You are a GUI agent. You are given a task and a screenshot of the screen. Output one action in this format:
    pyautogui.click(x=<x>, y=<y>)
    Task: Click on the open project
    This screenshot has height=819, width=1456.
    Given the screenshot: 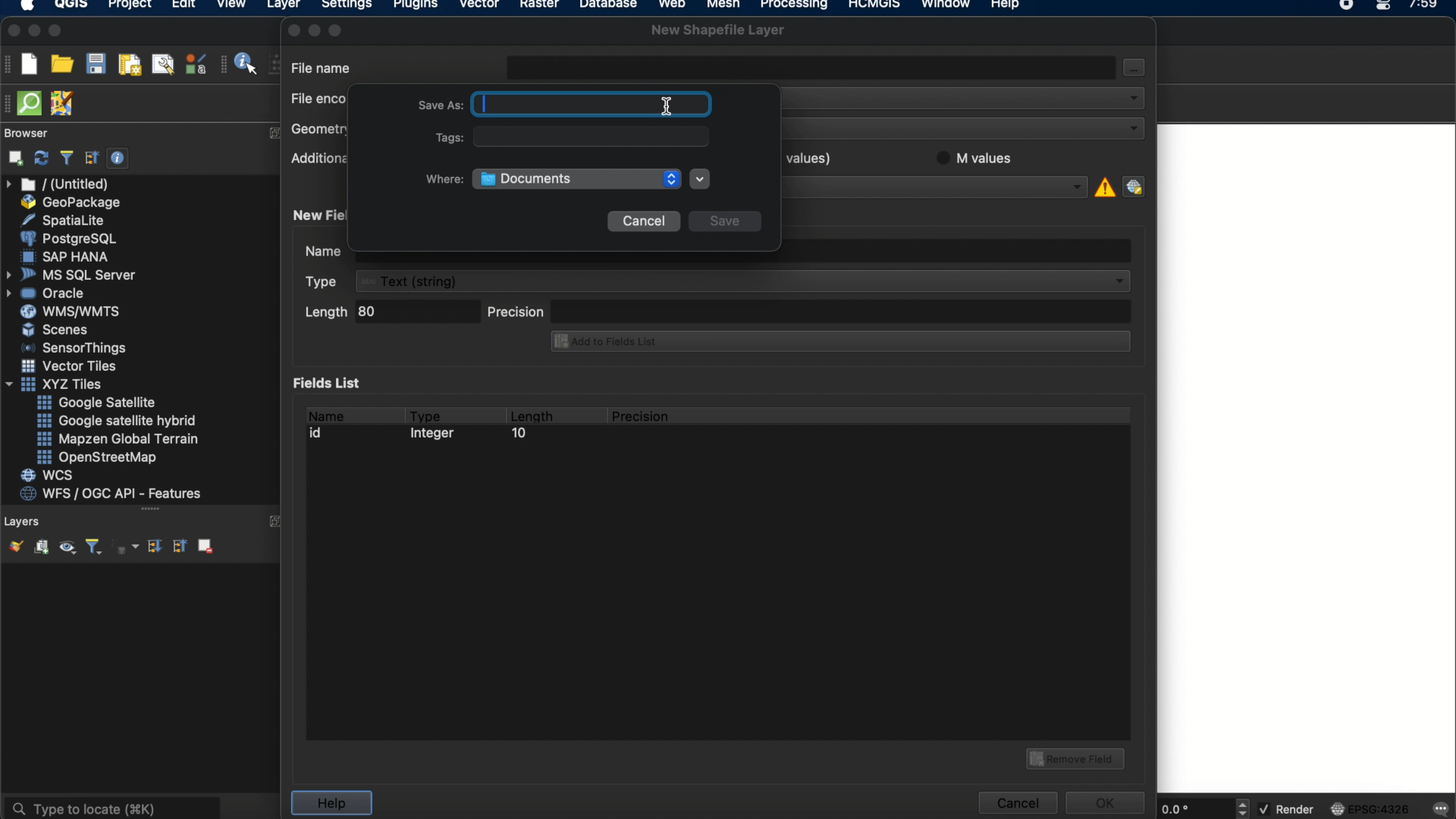 What is the action you would take?
    pyautogui.click(x=61, y=64)
    